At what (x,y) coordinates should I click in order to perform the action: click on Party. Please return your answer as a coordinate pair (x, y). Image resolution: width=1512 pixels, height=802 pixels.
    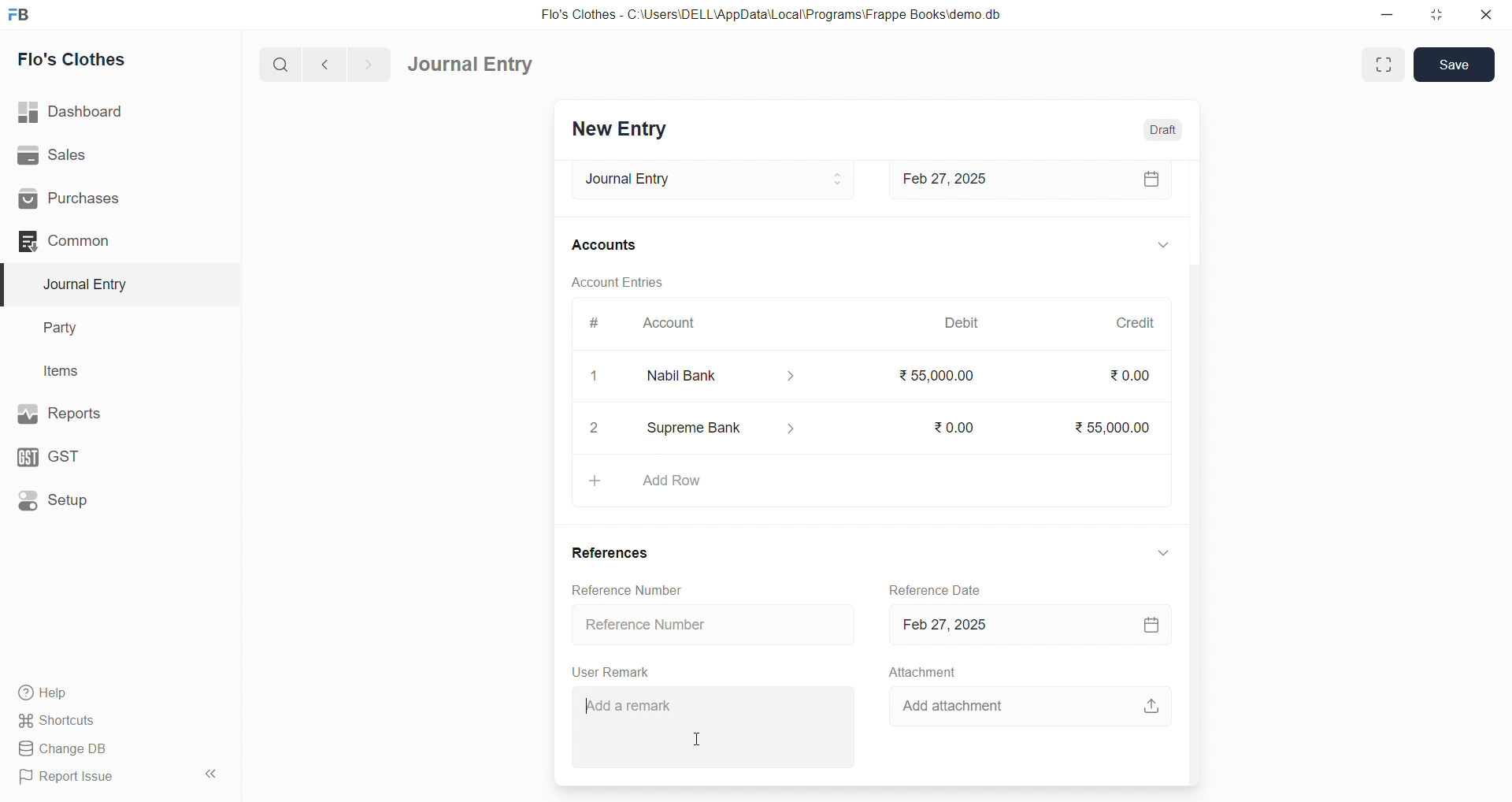
    Looking at the image, I should click on (70, 326).